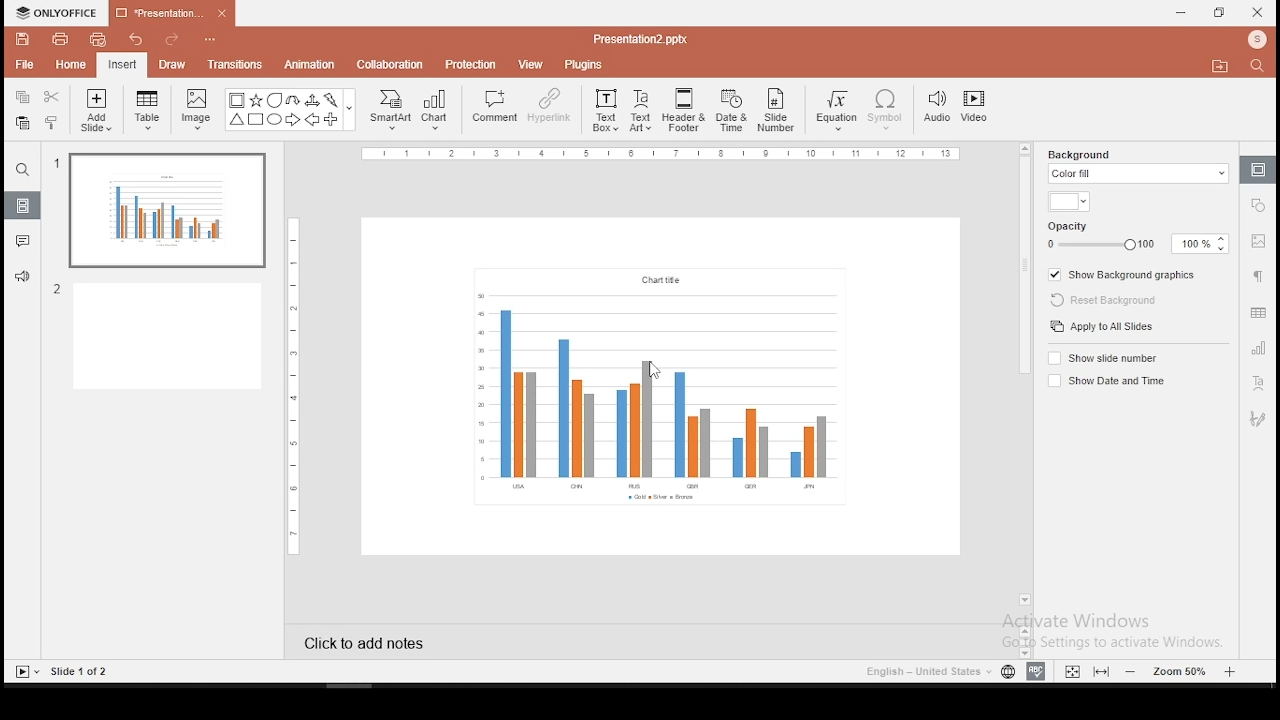 Image resolution: width=1280 pixels, height=720 pixels. Describe the element at coordinates (1256, 169) in the screenshot. I see `slide settings` at that location.